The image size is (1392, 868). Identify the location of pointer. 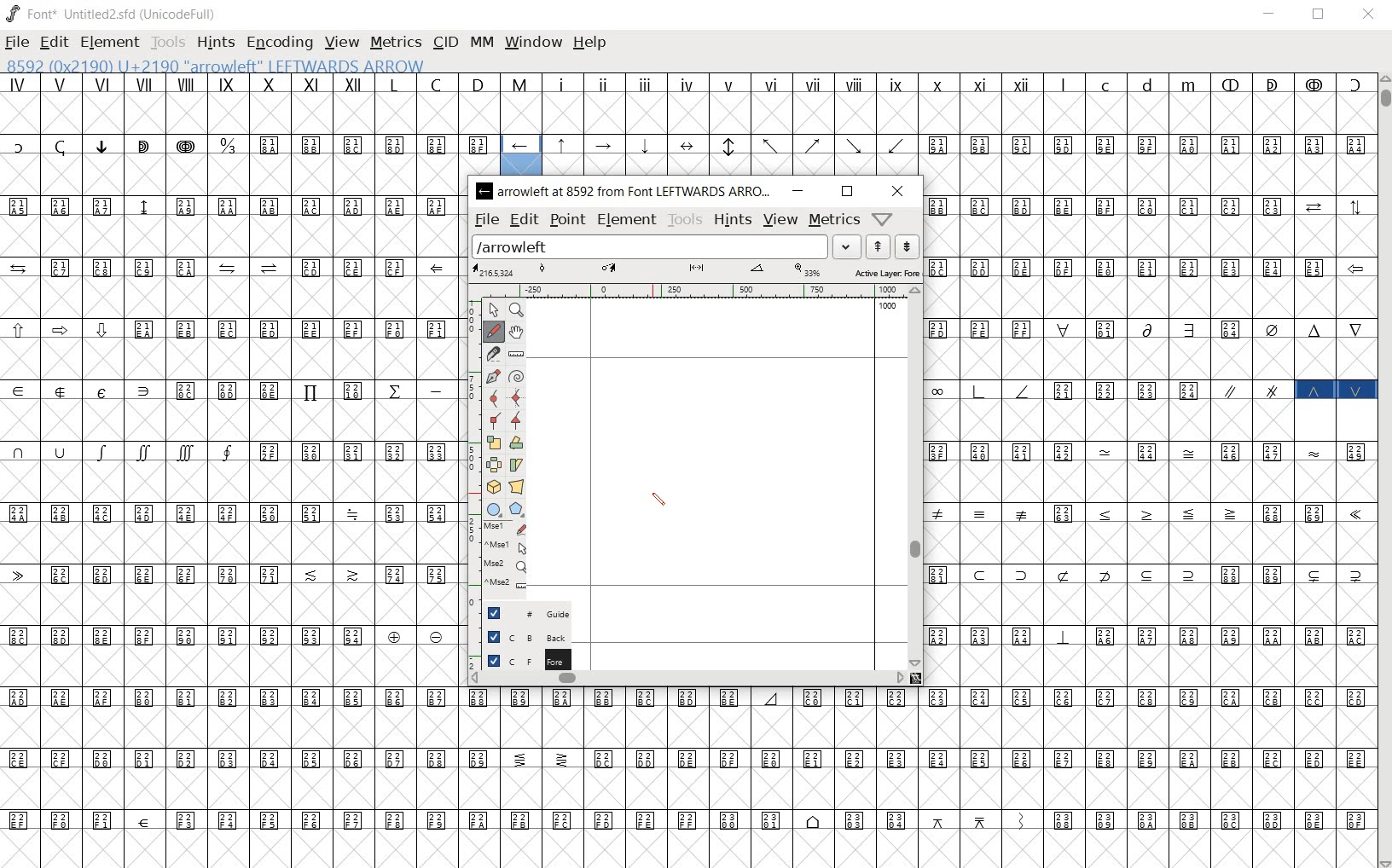
(493, 308).